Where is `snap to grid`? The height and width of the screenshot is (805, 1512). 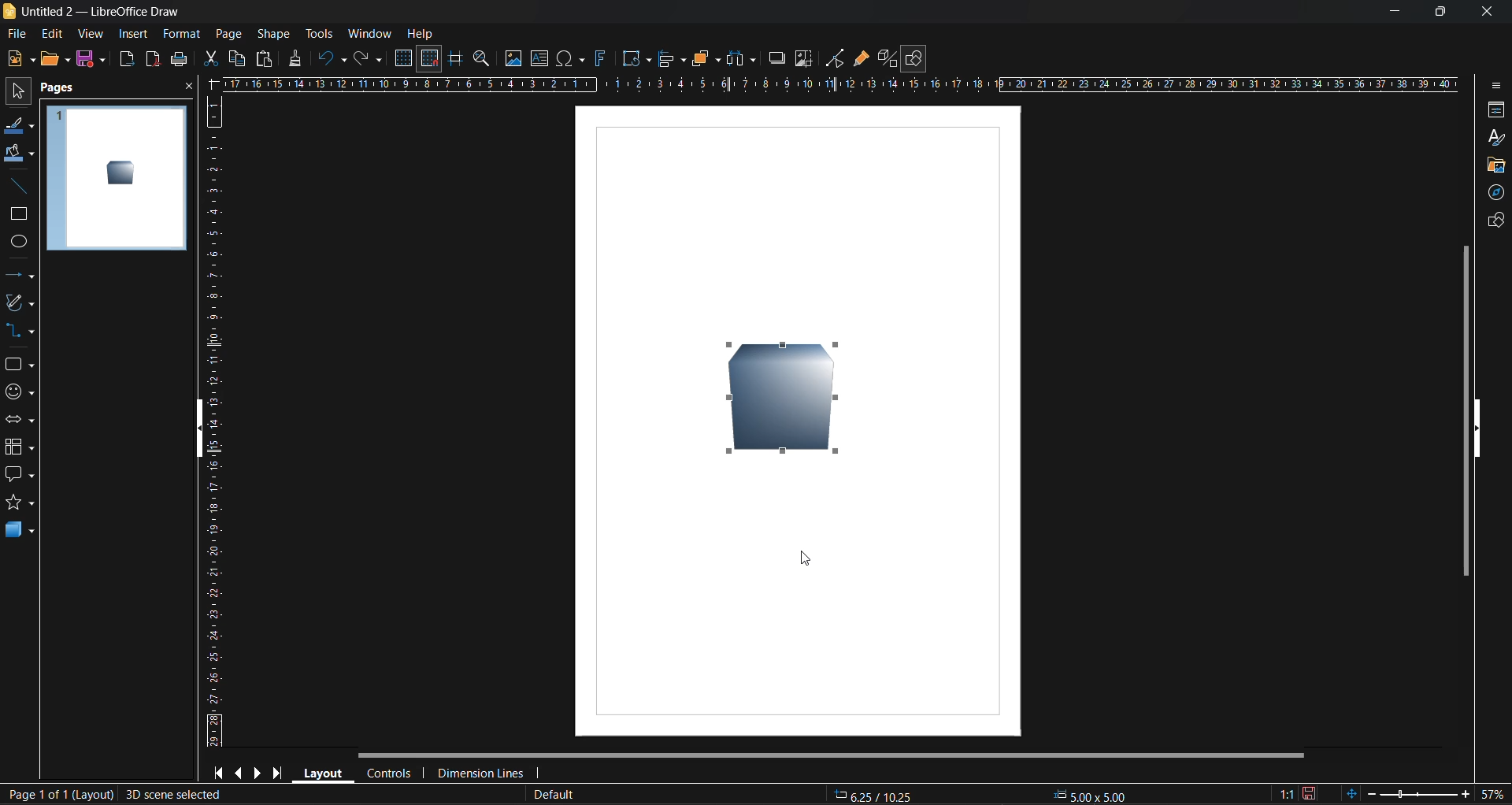 snap to grid is located at coordinates (430, 59).